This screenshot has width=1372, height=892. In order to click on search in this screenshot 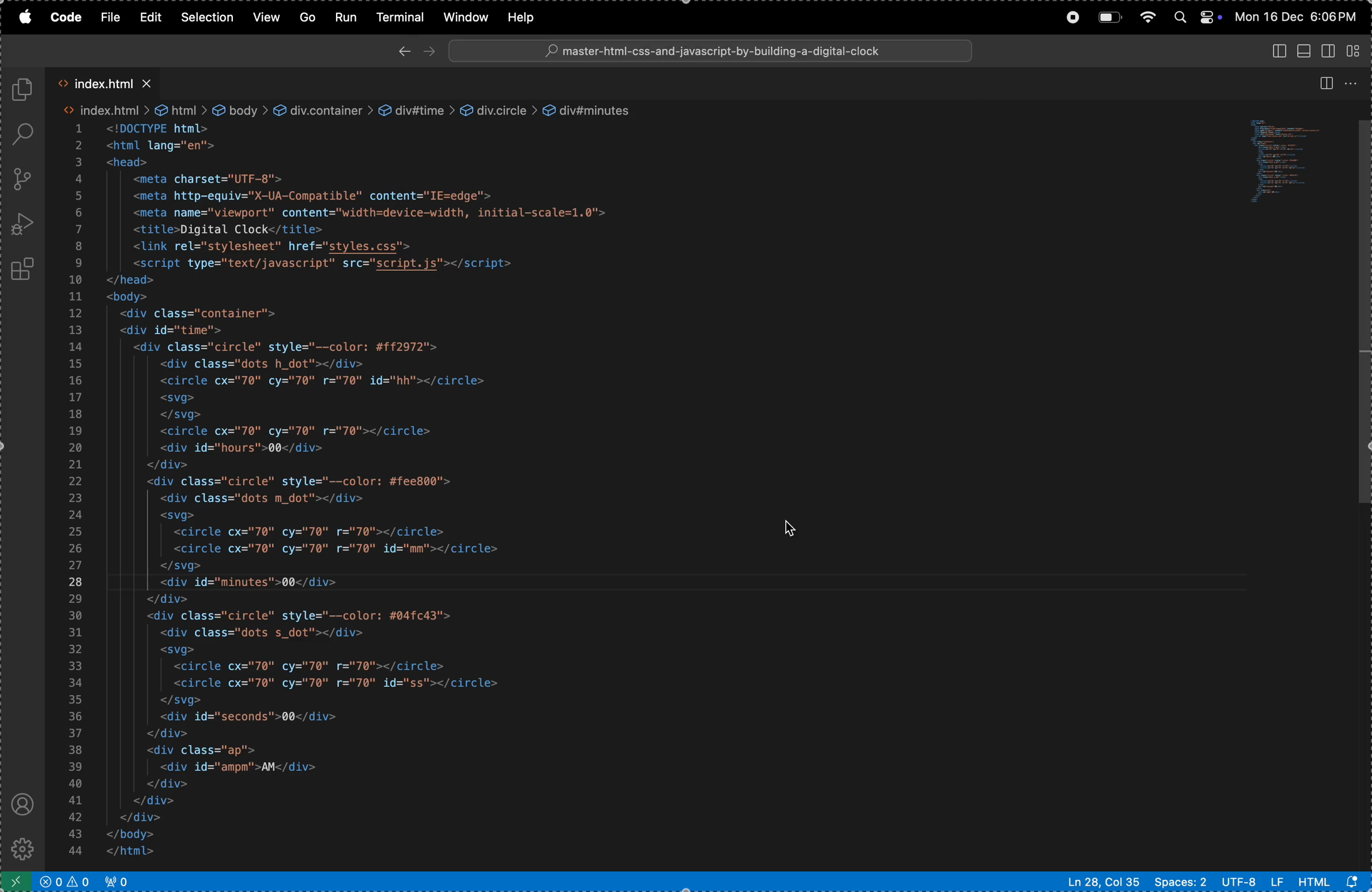, I will do `click(27, 134)`.